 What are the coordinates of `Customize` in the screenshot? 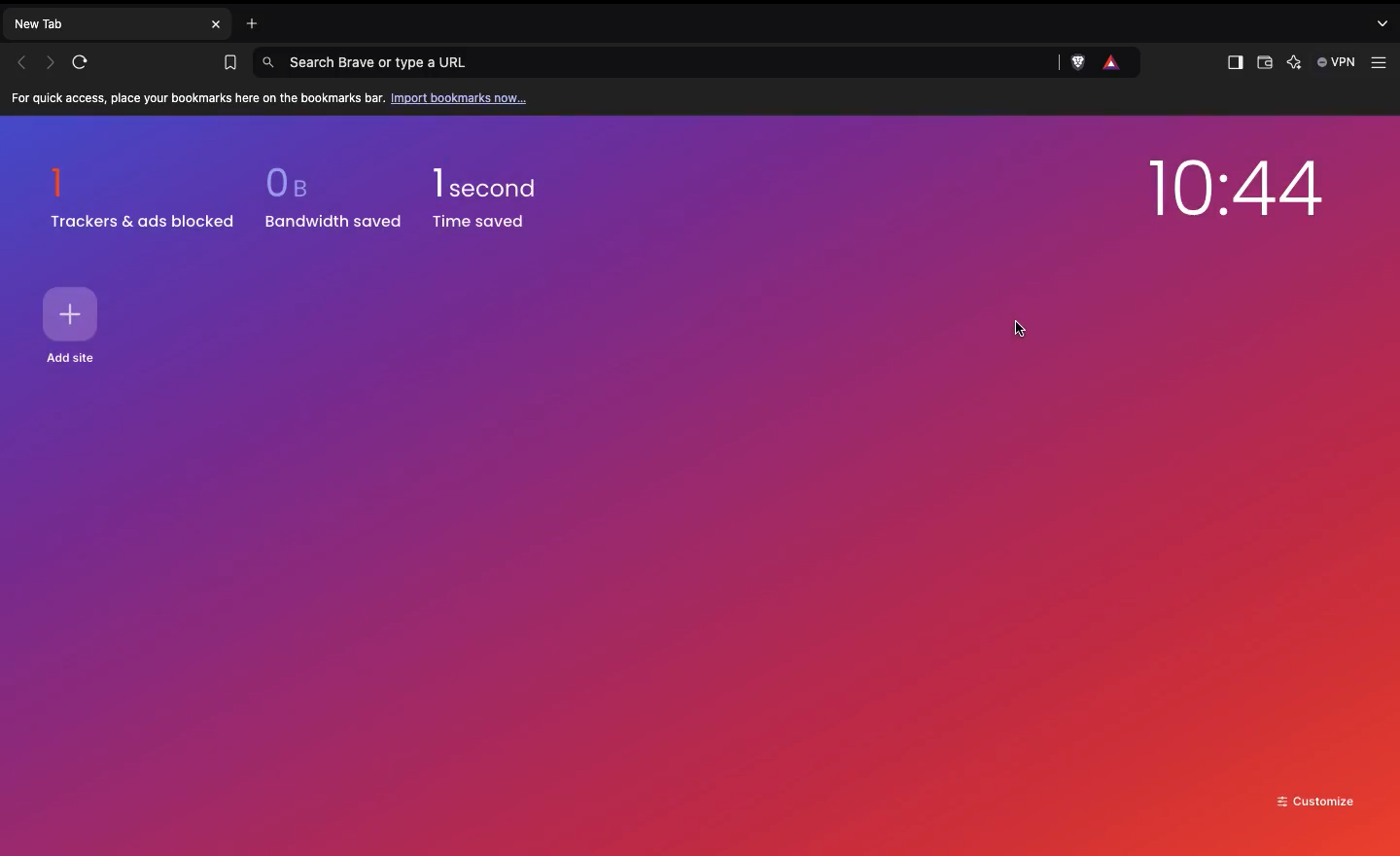 It's located at (1316, 800).